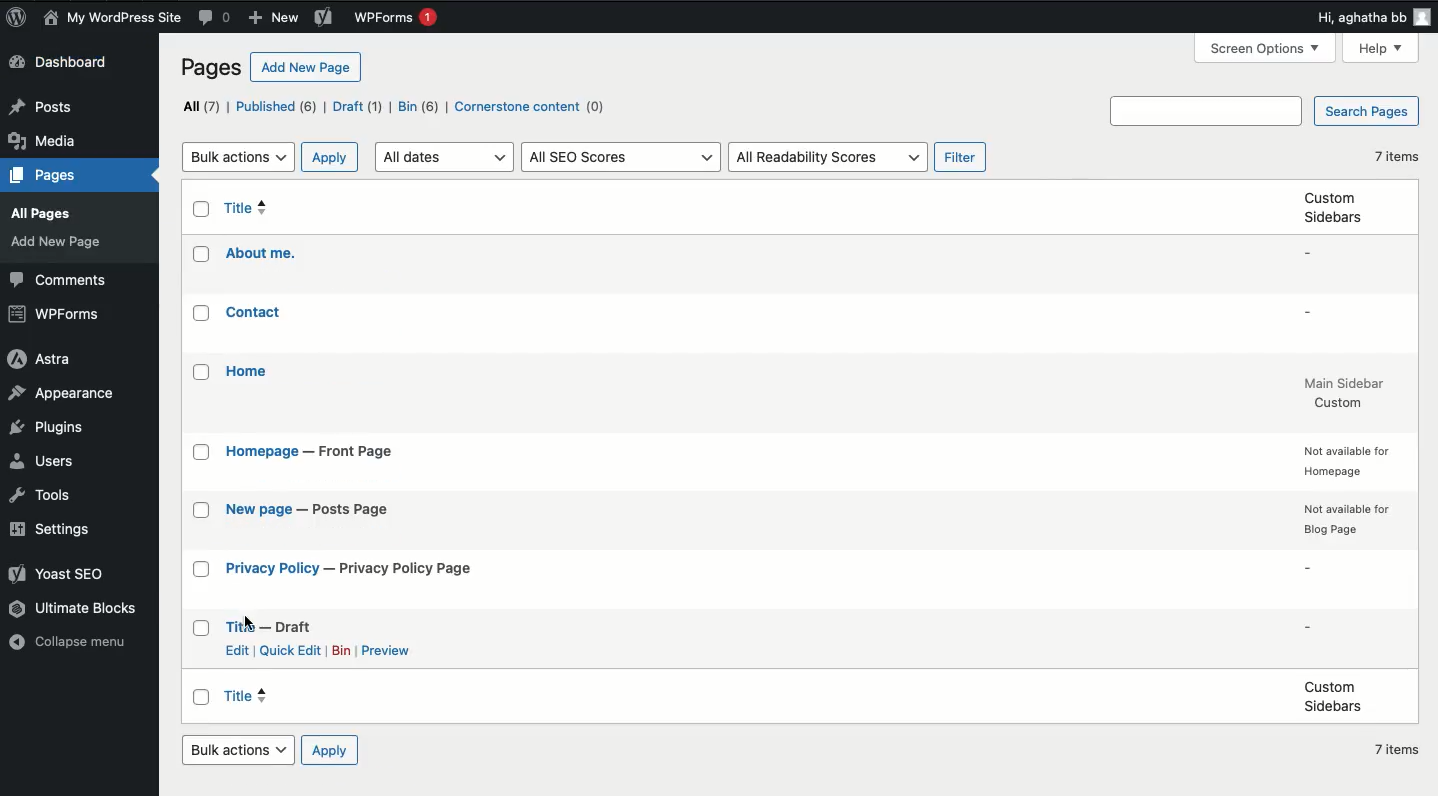 This screenshot has width=1438, height=796. What do you see at coordinates (537, 107) in the screenshot?
I see `Cornerstone content` at bounding box center [537, 107].